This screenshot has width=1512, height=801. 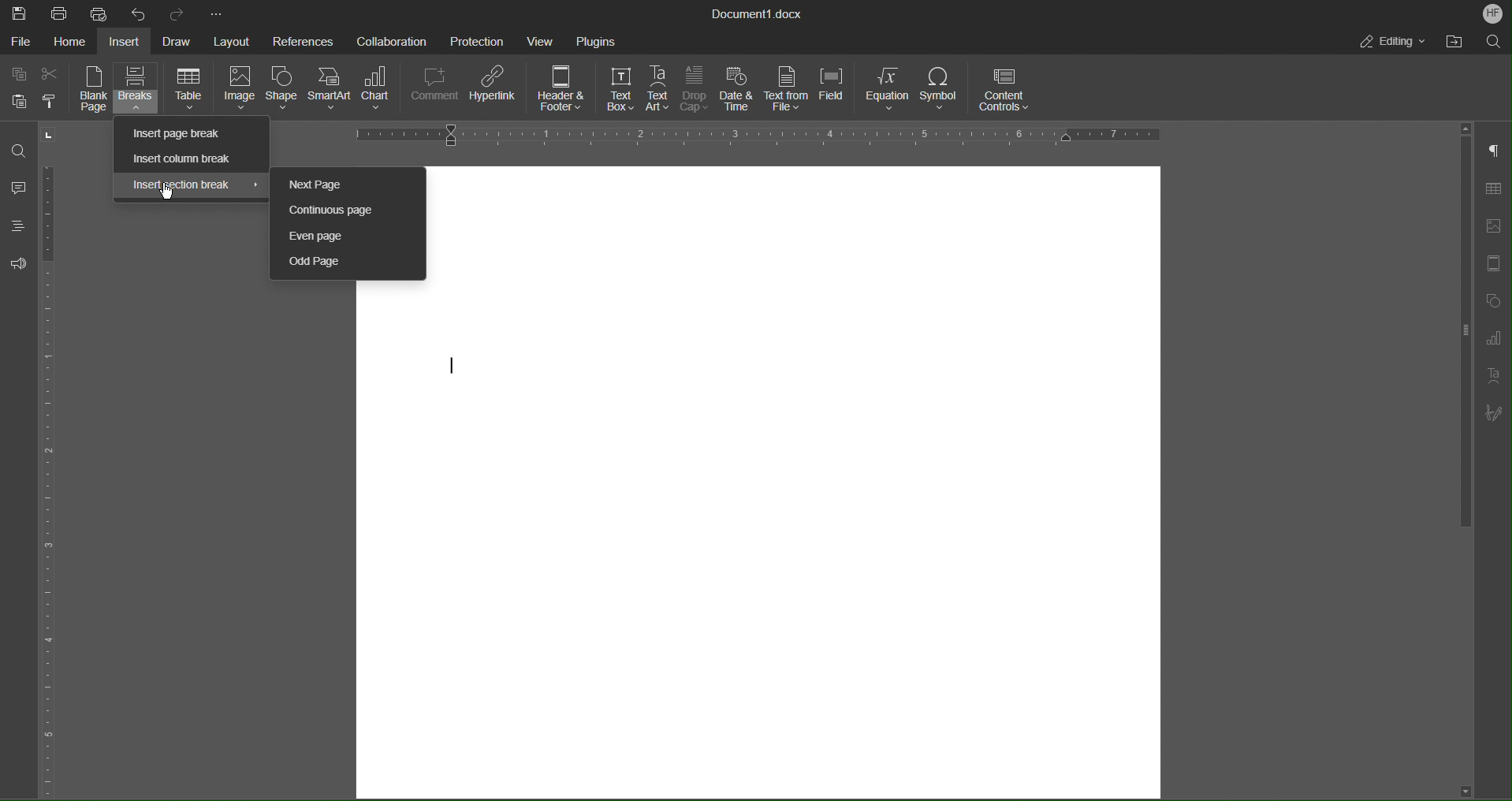 I want to click on Feedback and Support, so click(x=16, y=262).